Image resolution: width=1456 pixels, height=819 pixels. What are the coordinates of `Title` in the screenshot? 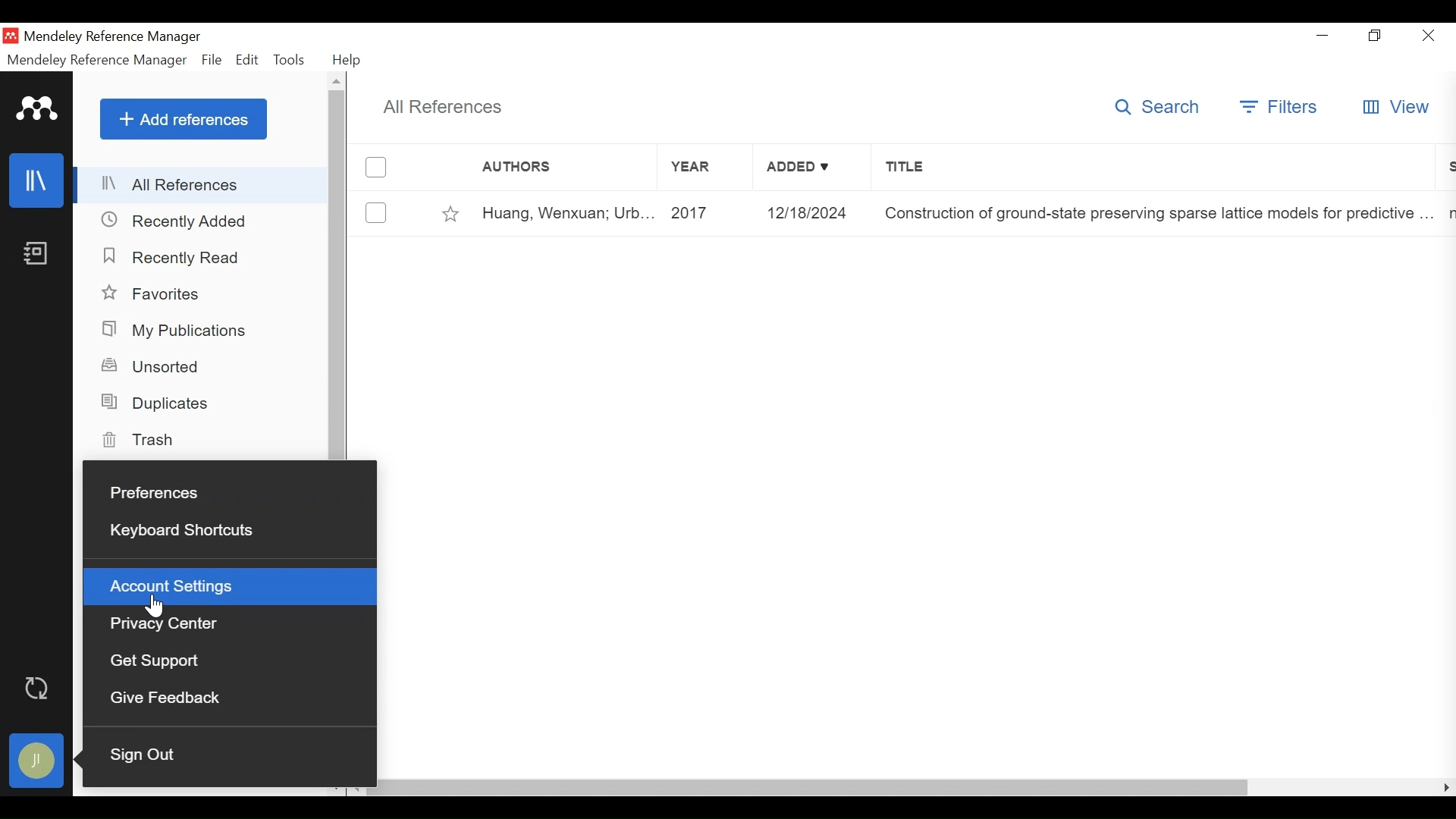 It's located at (1153, 171).